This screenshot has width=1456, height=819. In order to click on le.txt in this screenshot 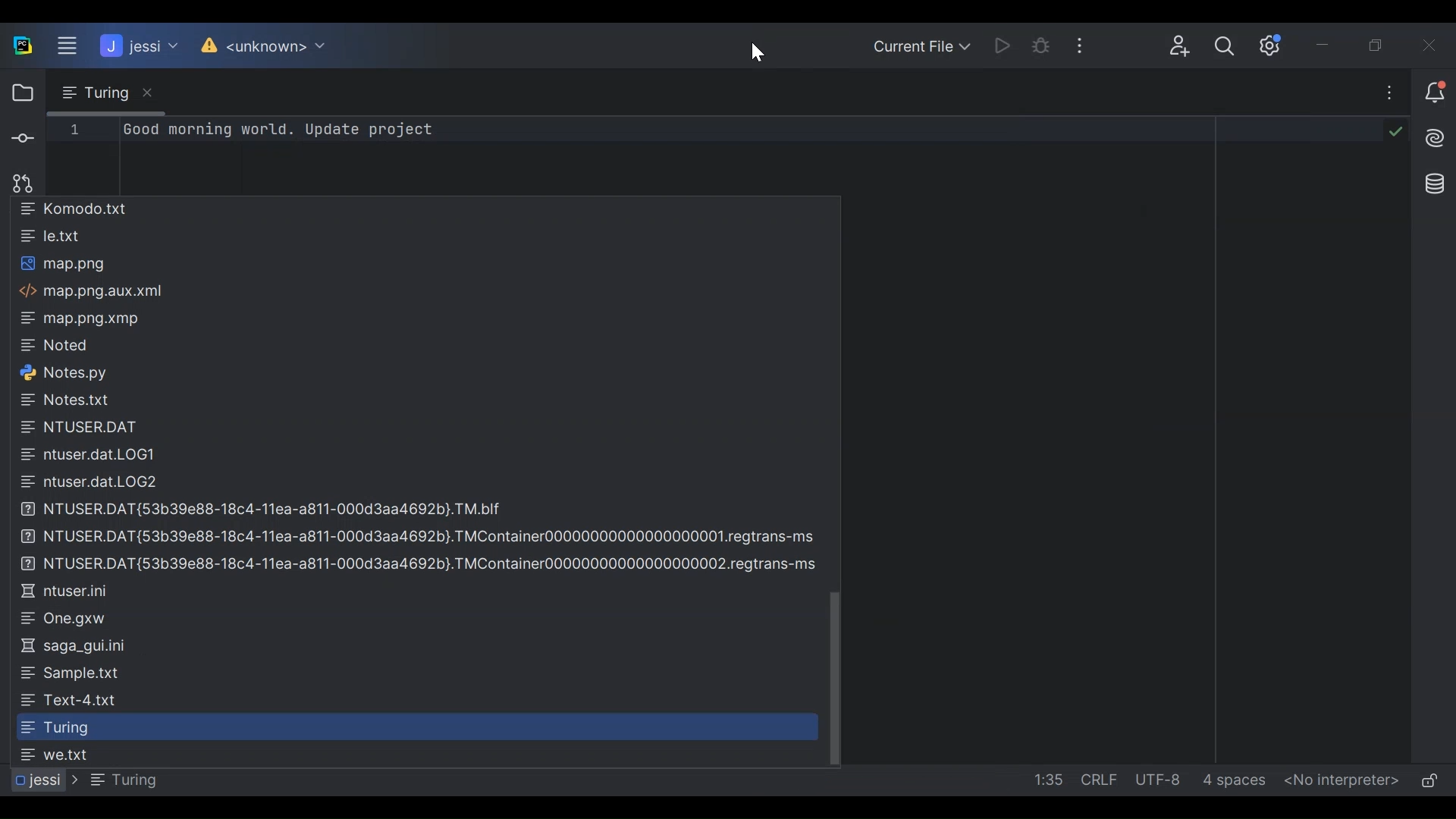, I will do `click(54, 235)`.